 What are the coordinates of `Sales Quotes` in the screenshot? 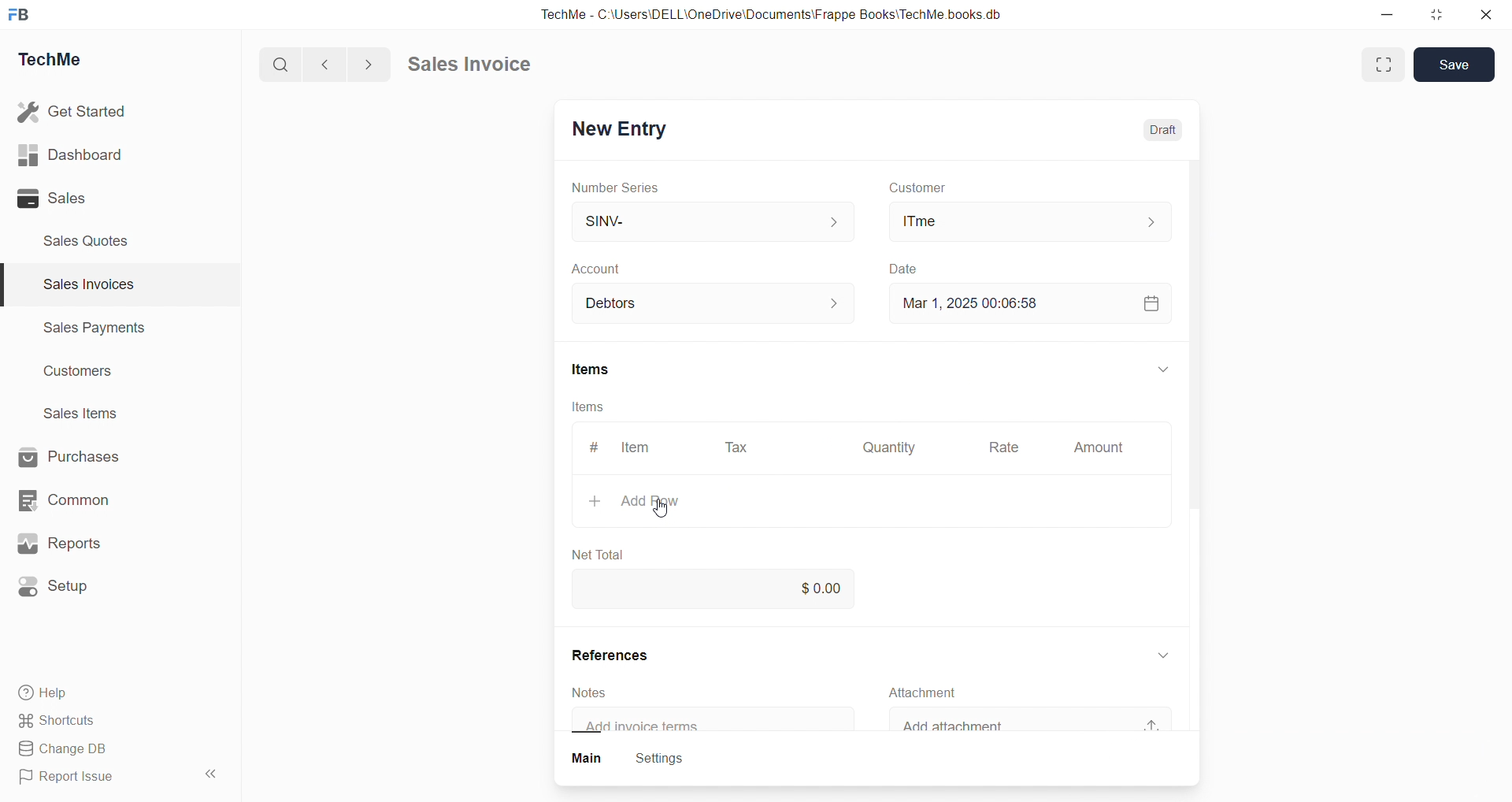 It's located at (92, 240).